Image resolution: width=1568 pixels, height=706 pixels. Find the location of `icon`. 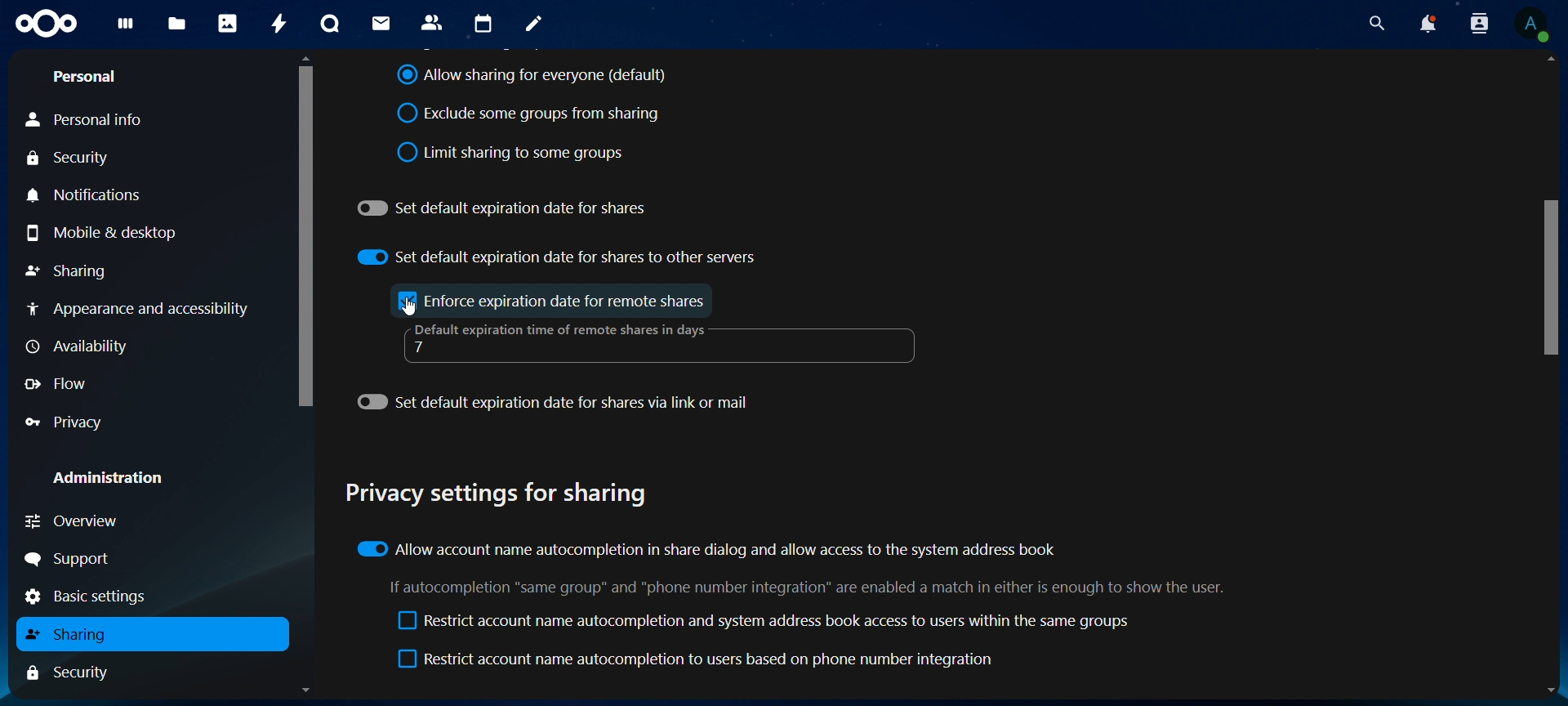

icon is located at coordinates (51, 24).